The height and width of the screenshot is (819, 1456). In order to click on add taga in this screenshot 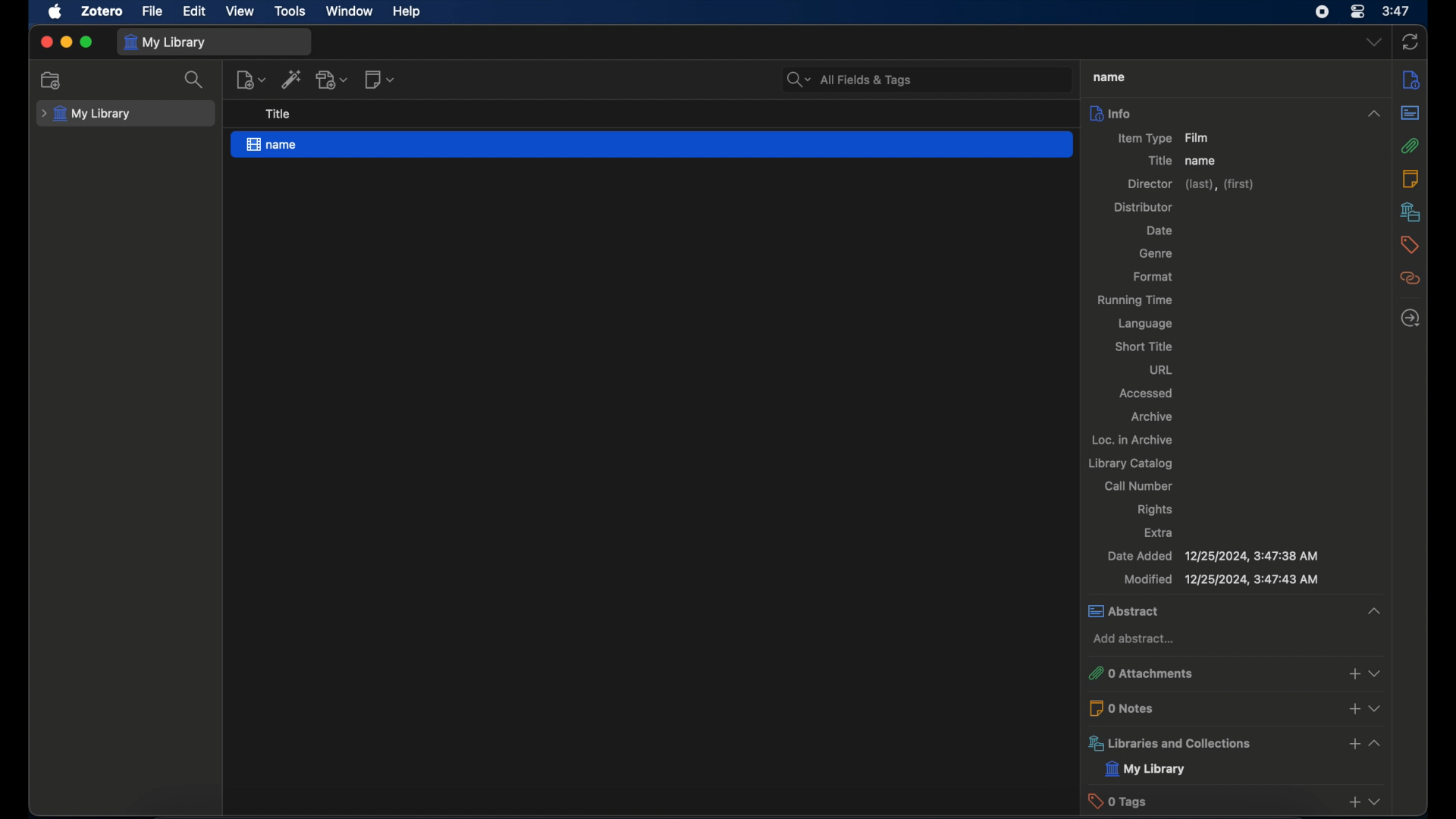, I will do `click(1351, 801)`.